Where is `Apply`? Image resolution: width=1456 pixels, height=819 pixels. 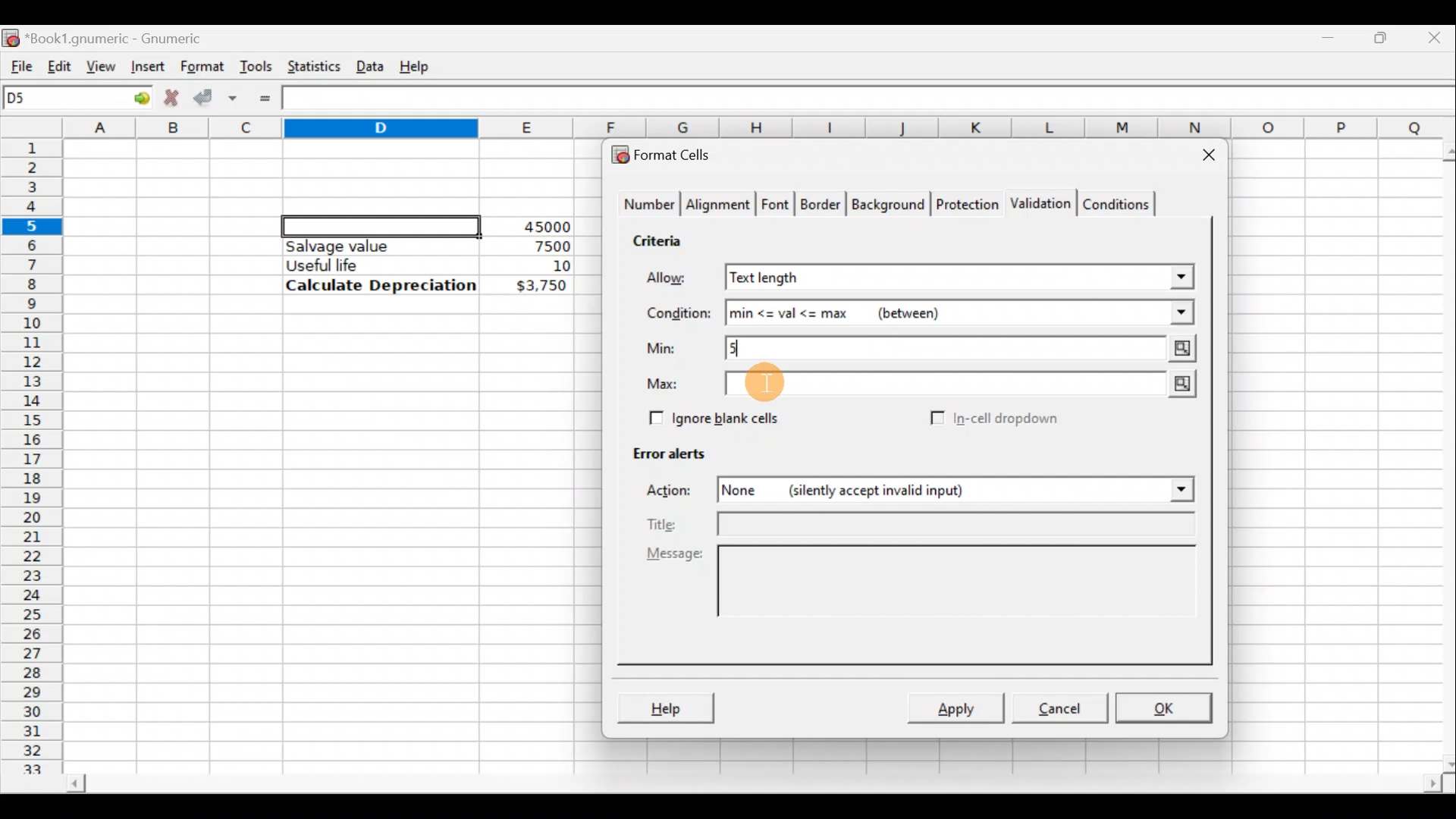
Apply is located at coordinates (962, 707).